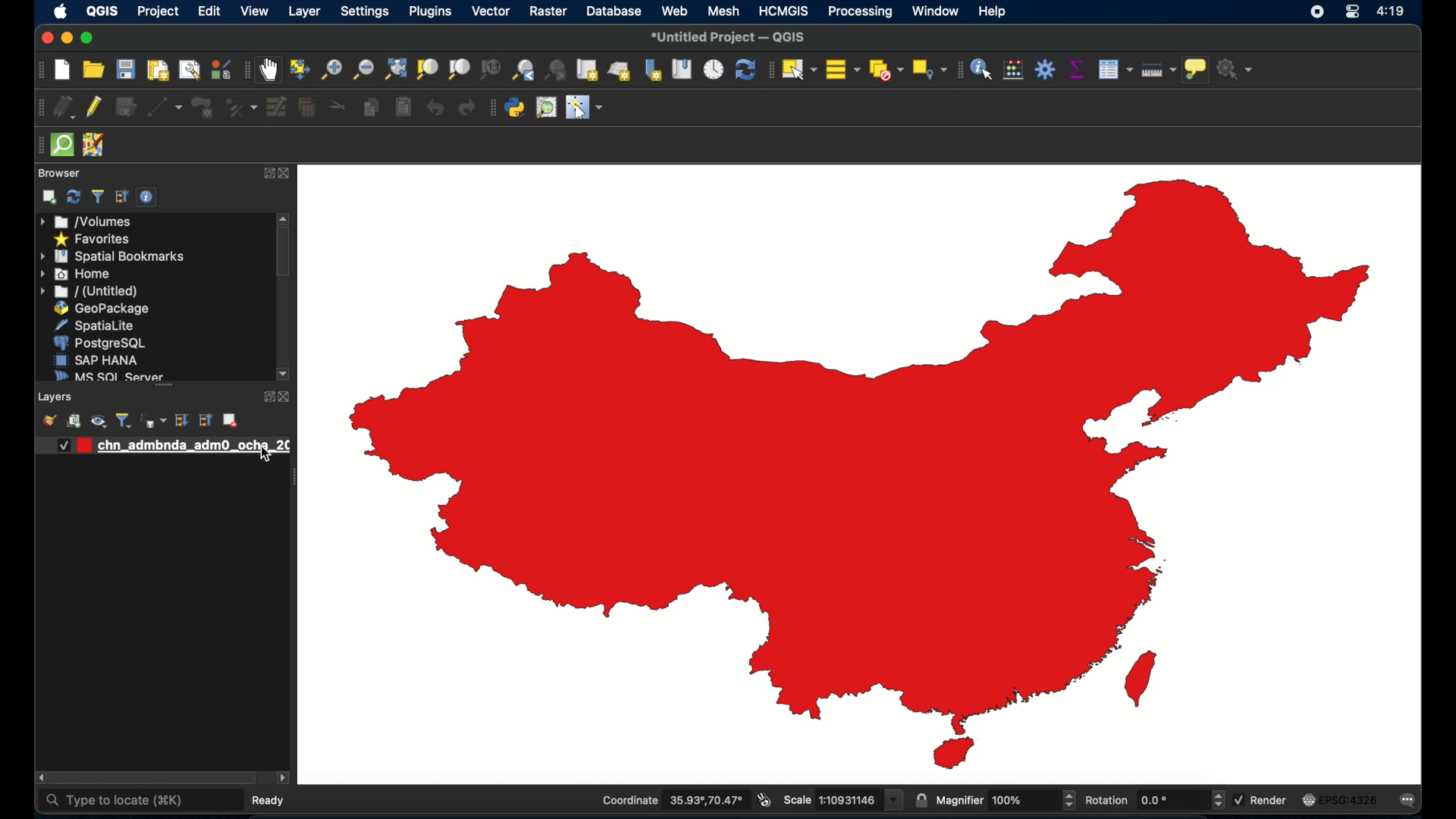 This screenshot has width=1456, height=819. Describe the element at coordinates (1157, 69) in the screenshot. I see `measure line` at that location.